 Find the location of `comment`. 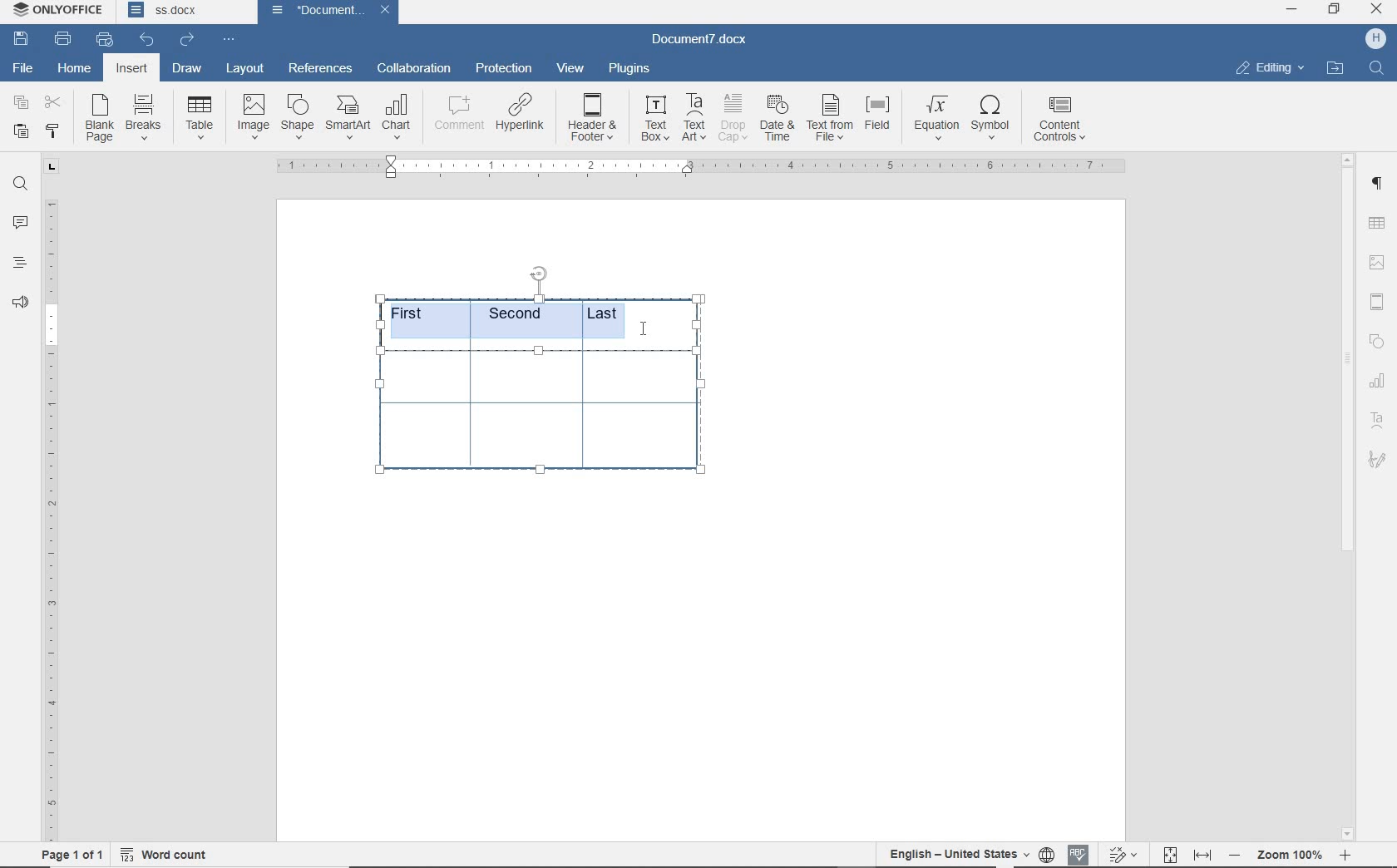

comment is located at coordinates (458, 116).